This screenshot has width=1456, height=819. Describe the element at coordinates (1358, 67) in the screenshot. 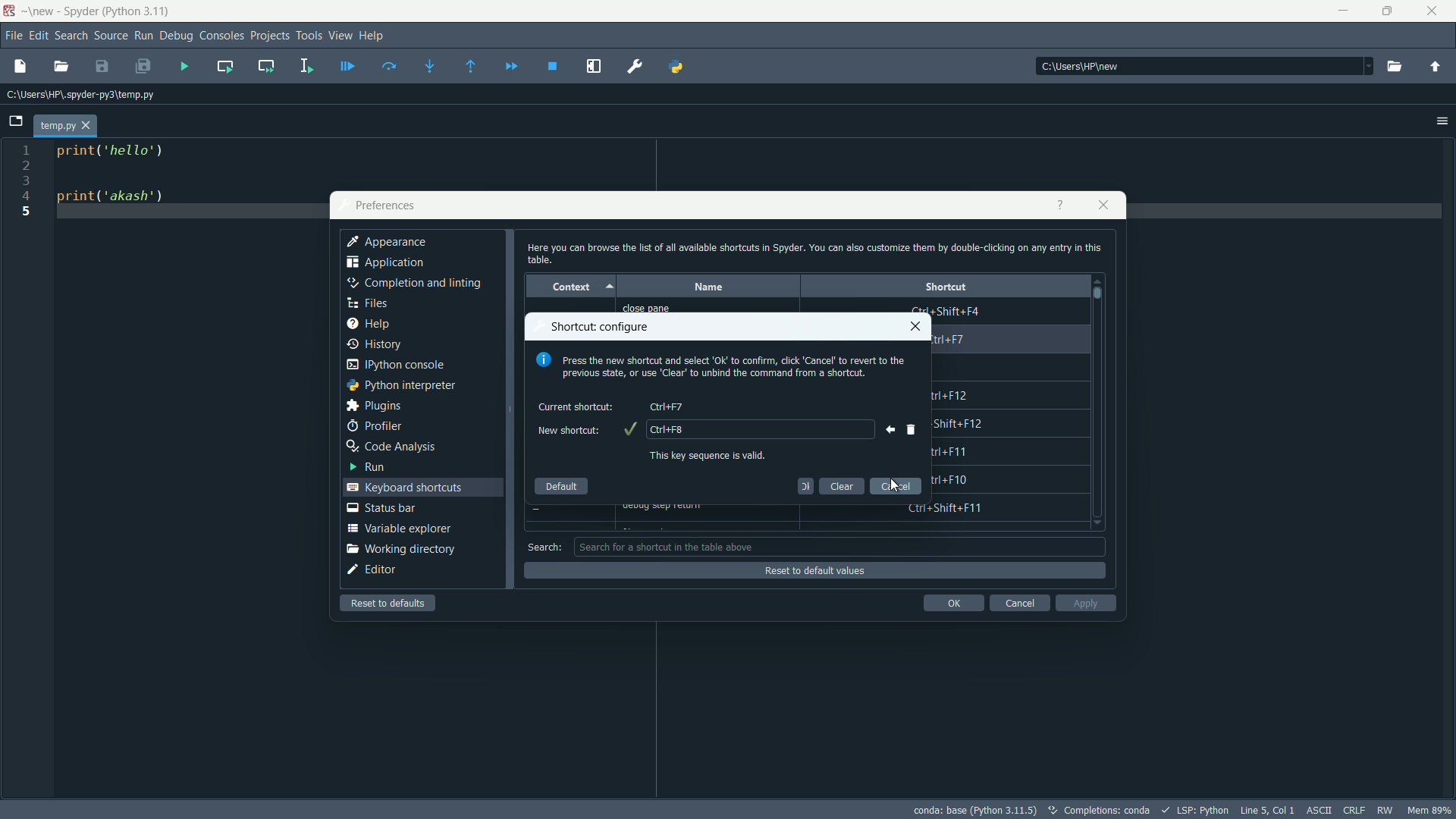

I see `More Options` at that location.